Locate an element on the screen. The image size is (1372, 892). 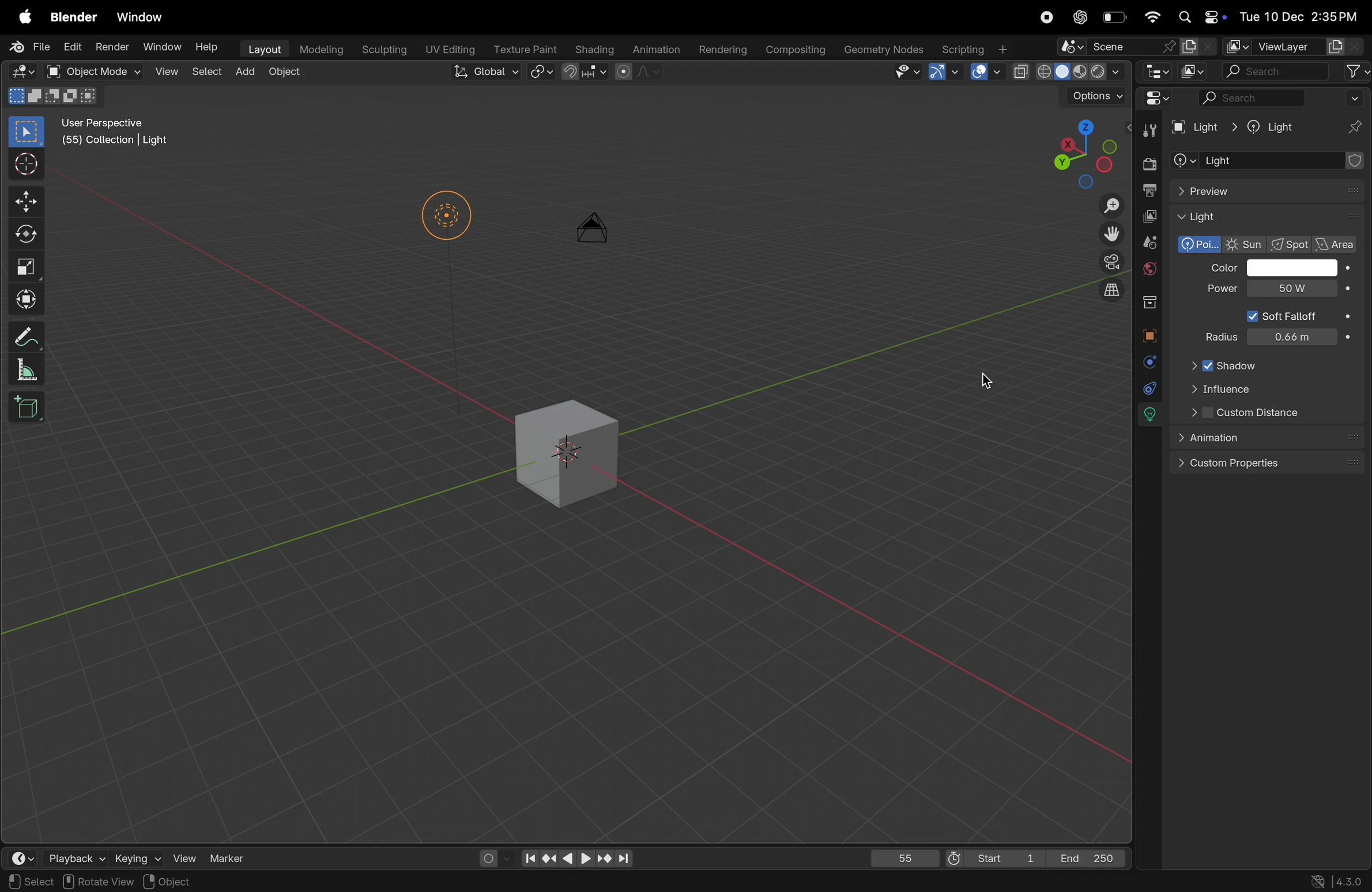
Light is located at coordinates (1203, 126).